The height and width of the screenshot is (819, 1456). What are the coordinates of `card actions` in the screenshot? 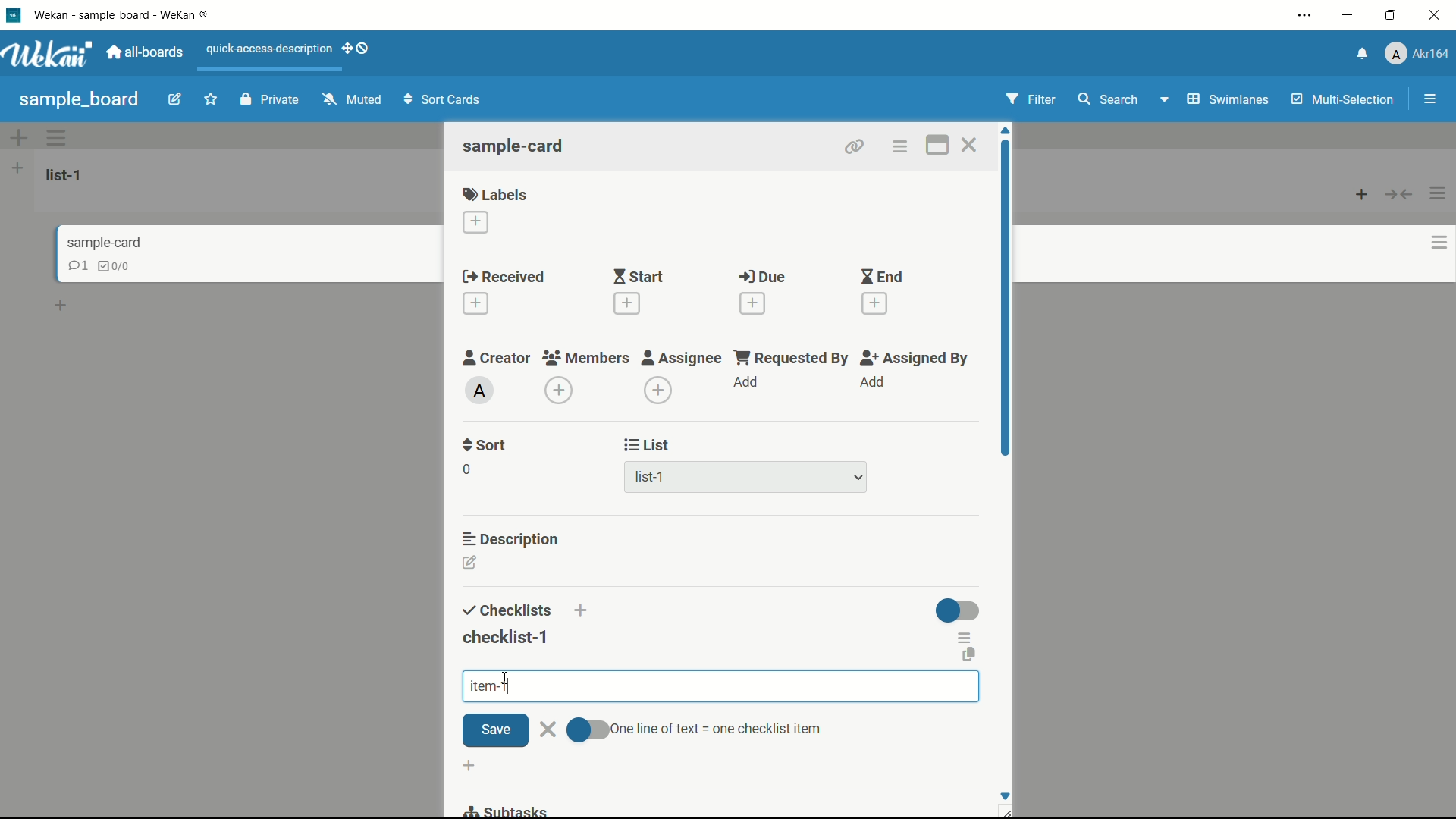 It's located at (899, 147).